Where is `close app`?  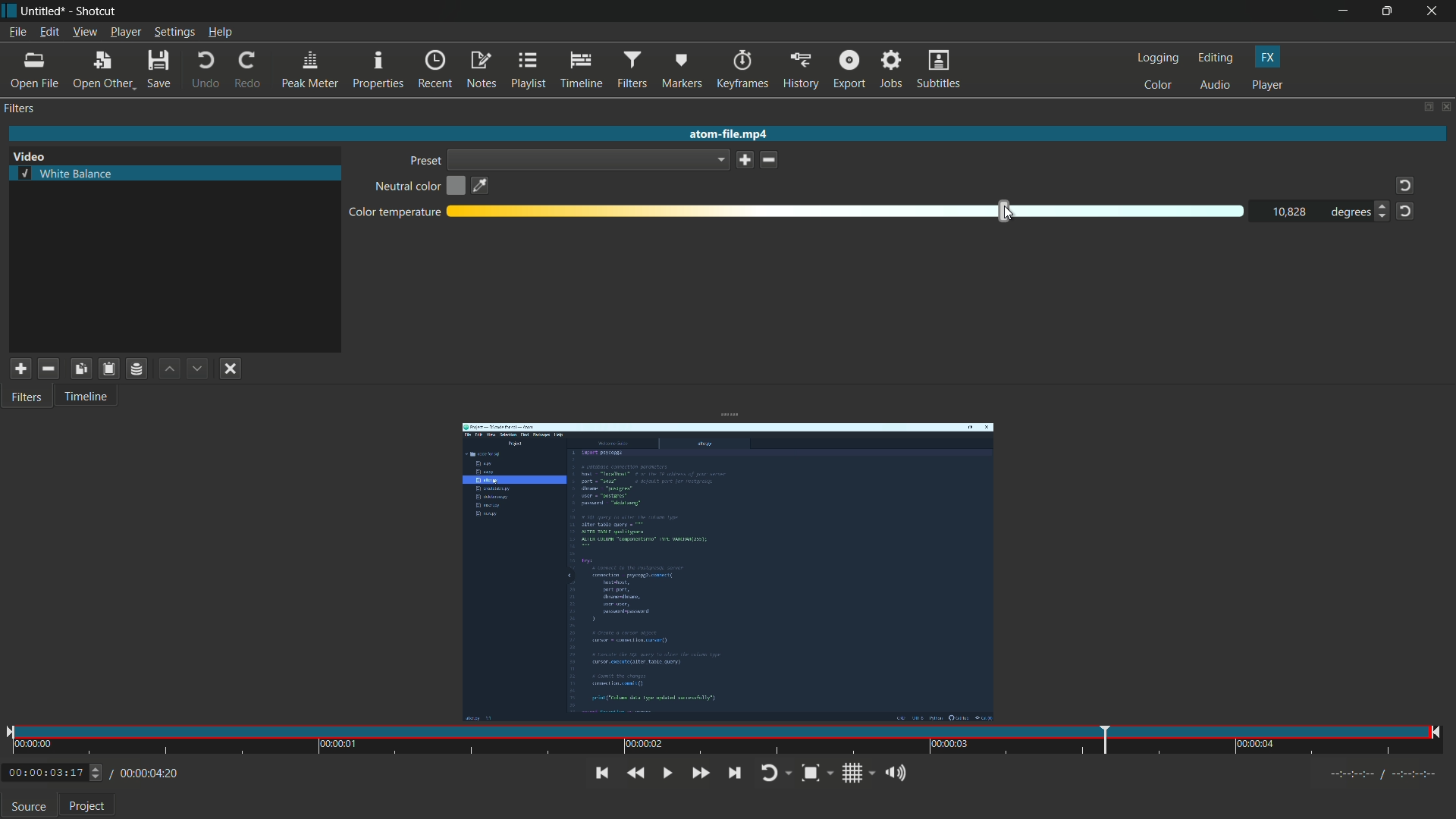 close app is located at coordinates (1435, 11).